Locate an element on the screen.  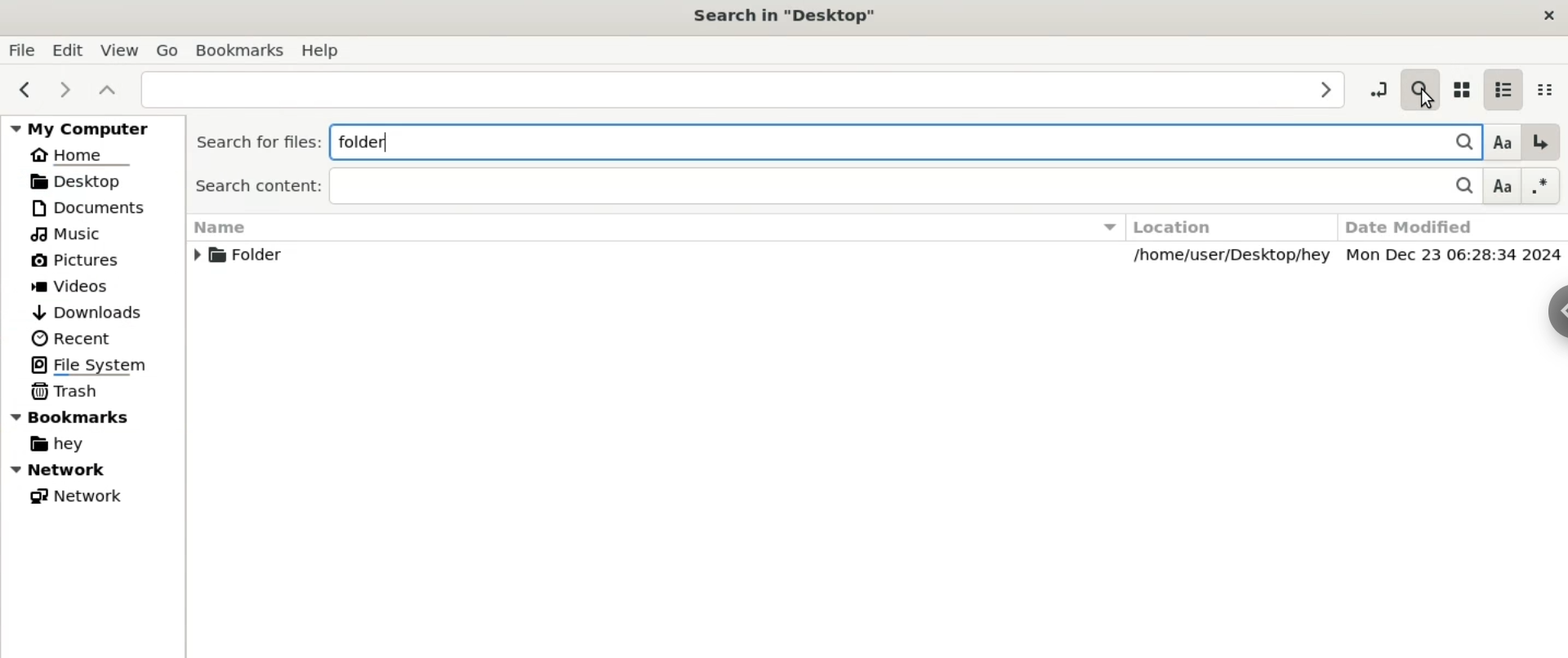
Date Modified is located at coordinates (1447, 226).